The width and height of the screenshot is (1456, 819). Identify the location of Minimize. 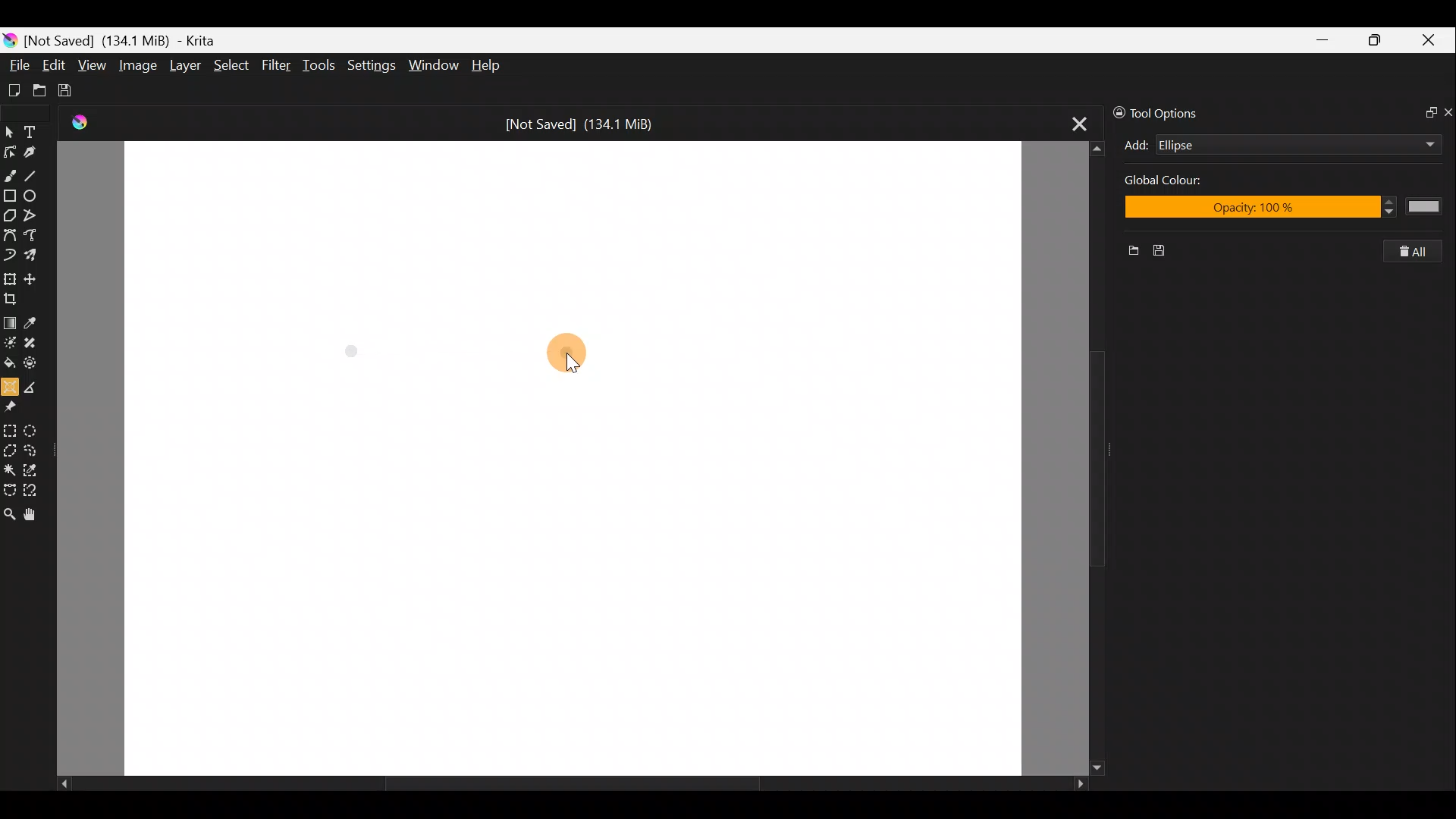
(1324, 39).